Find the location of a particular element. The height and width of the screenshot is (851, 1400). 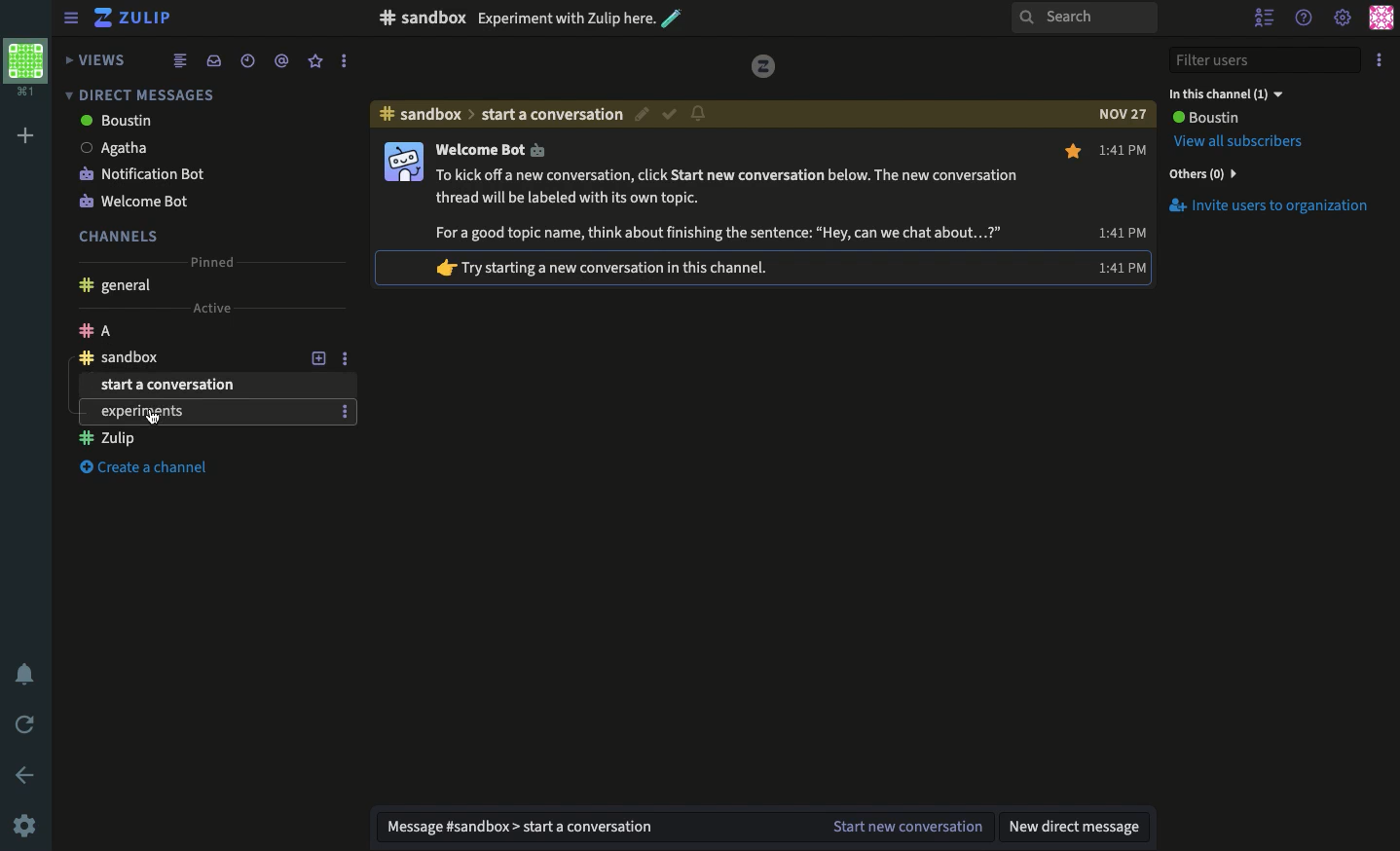

Zulip is located at coordinates (136, 20).